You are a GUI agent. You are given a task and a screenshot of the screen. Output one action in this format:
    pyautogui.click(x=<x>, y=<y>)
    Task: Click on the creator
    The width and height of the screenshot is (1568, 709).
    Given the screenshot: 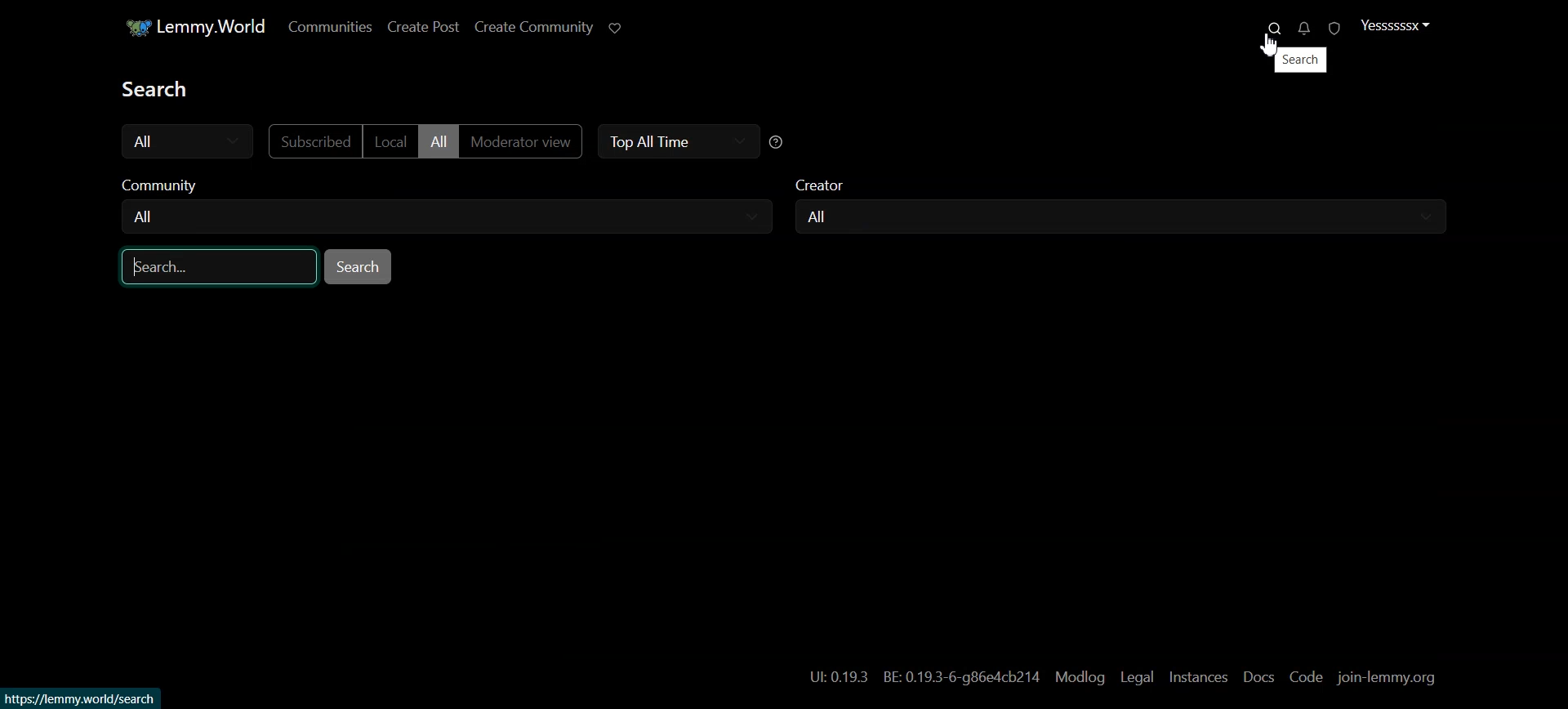 What is the action you would take?
    pyautogui.click(x=825, y=181)
    